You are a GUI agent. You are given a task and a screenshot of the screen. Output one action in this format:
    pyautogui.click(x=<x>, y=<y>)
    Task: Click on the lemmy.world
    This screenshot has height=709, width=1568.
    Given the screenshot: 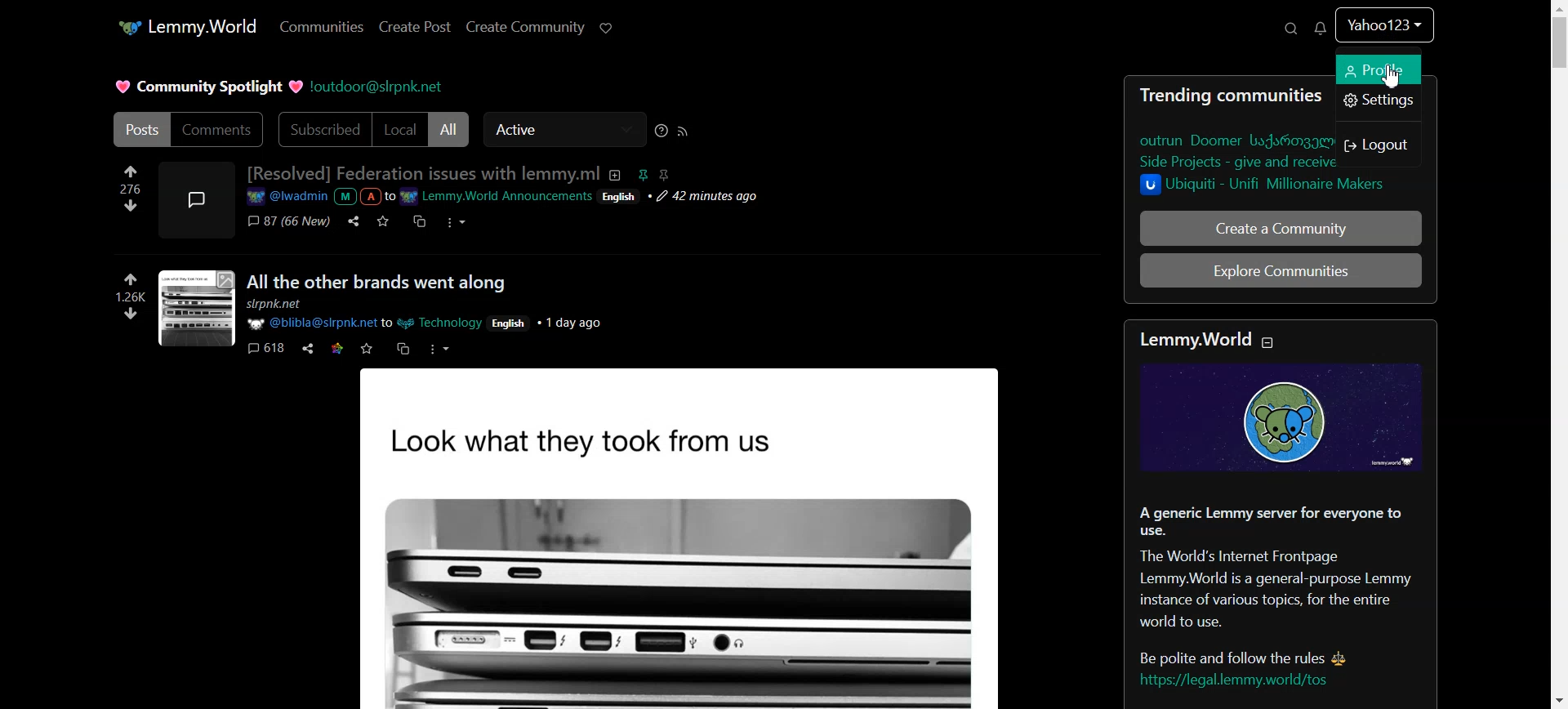 What is the action you would take?
    pyautogui.click(x=186, y=27)
    